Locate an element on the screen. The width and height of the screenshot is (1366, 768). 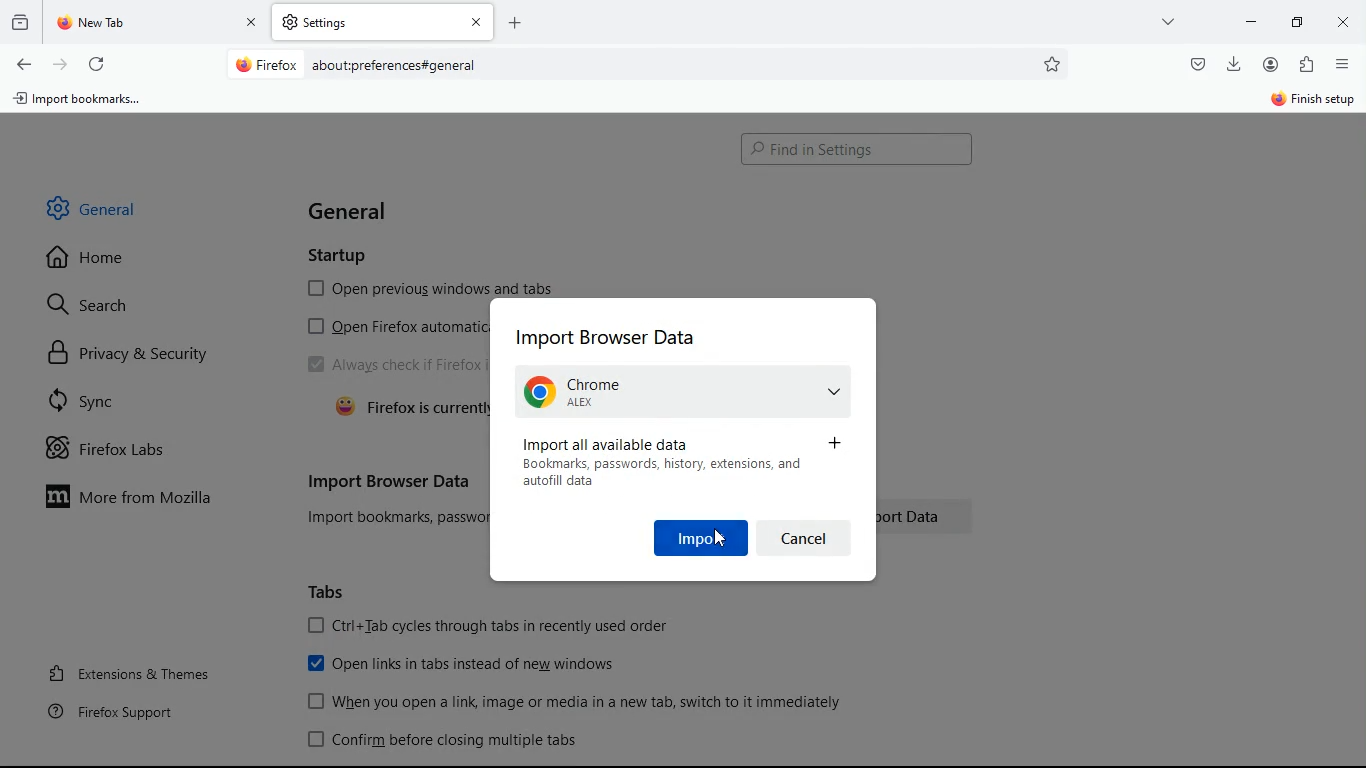
extentions is located at coordinates (1303, 65).